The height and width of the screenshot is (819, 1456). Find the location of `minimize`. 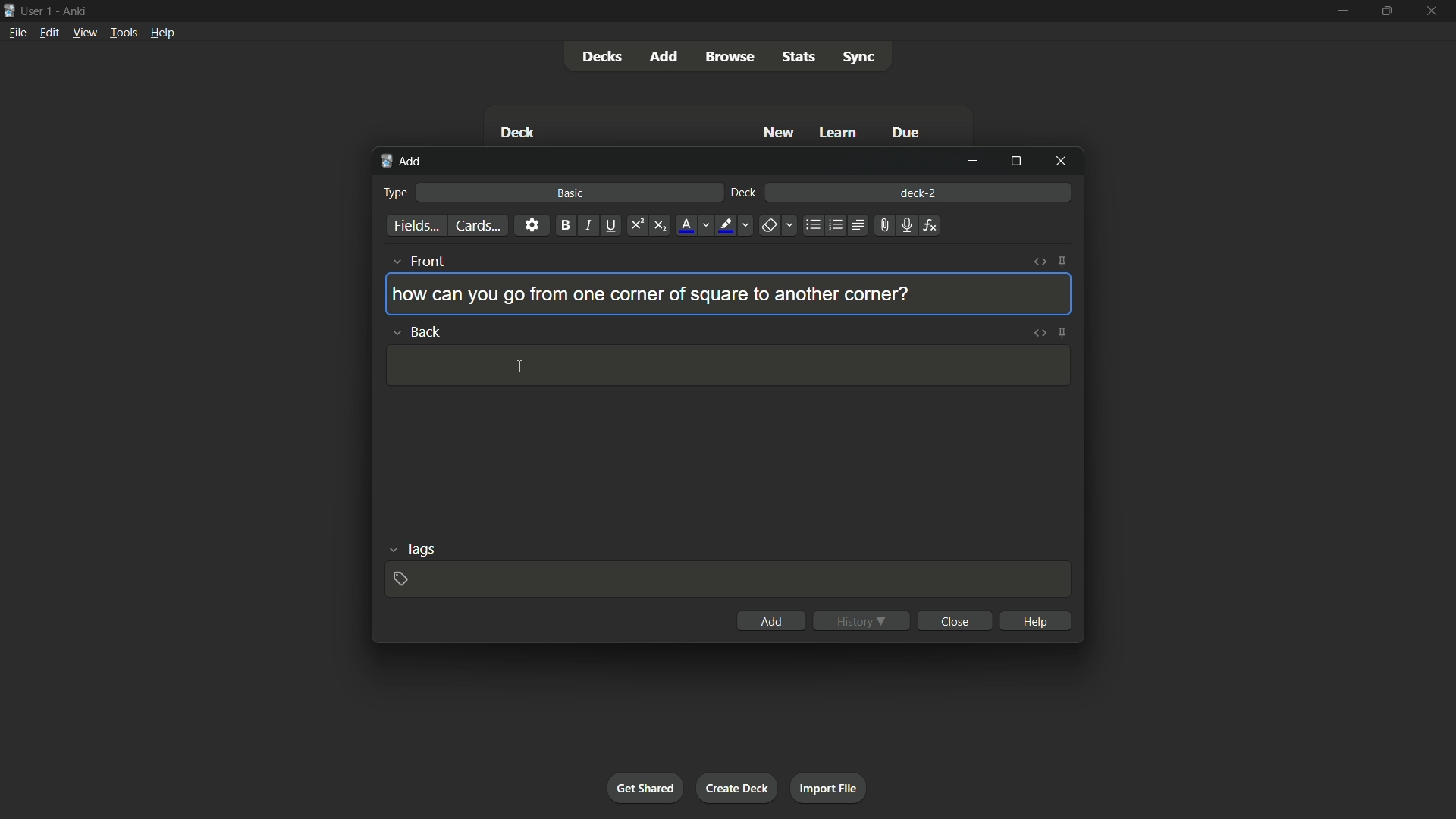

minimize is located at coordinates (976, 162).